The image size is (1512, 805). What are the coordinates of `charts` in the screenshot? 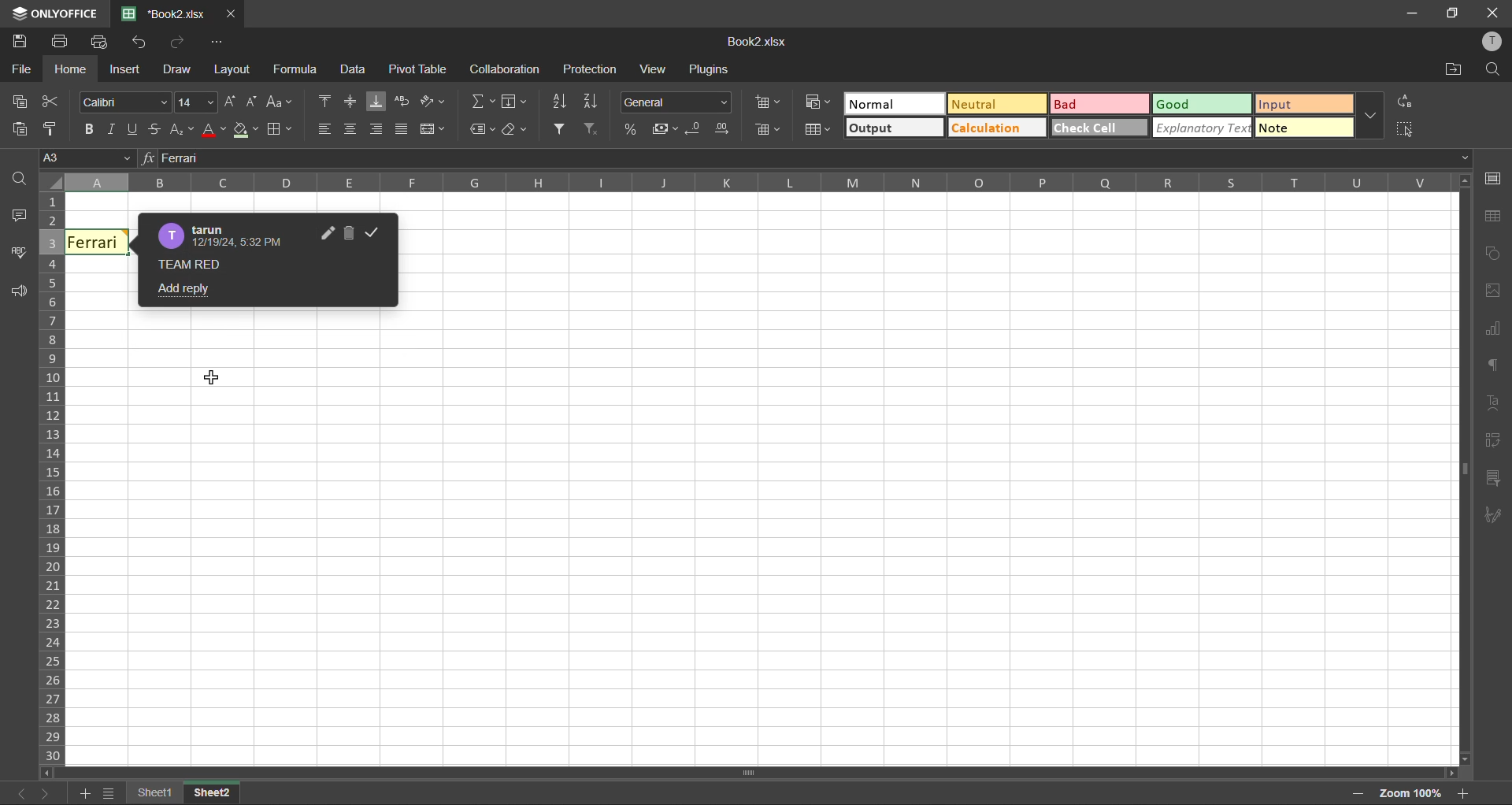 It's located at (1495, 333).